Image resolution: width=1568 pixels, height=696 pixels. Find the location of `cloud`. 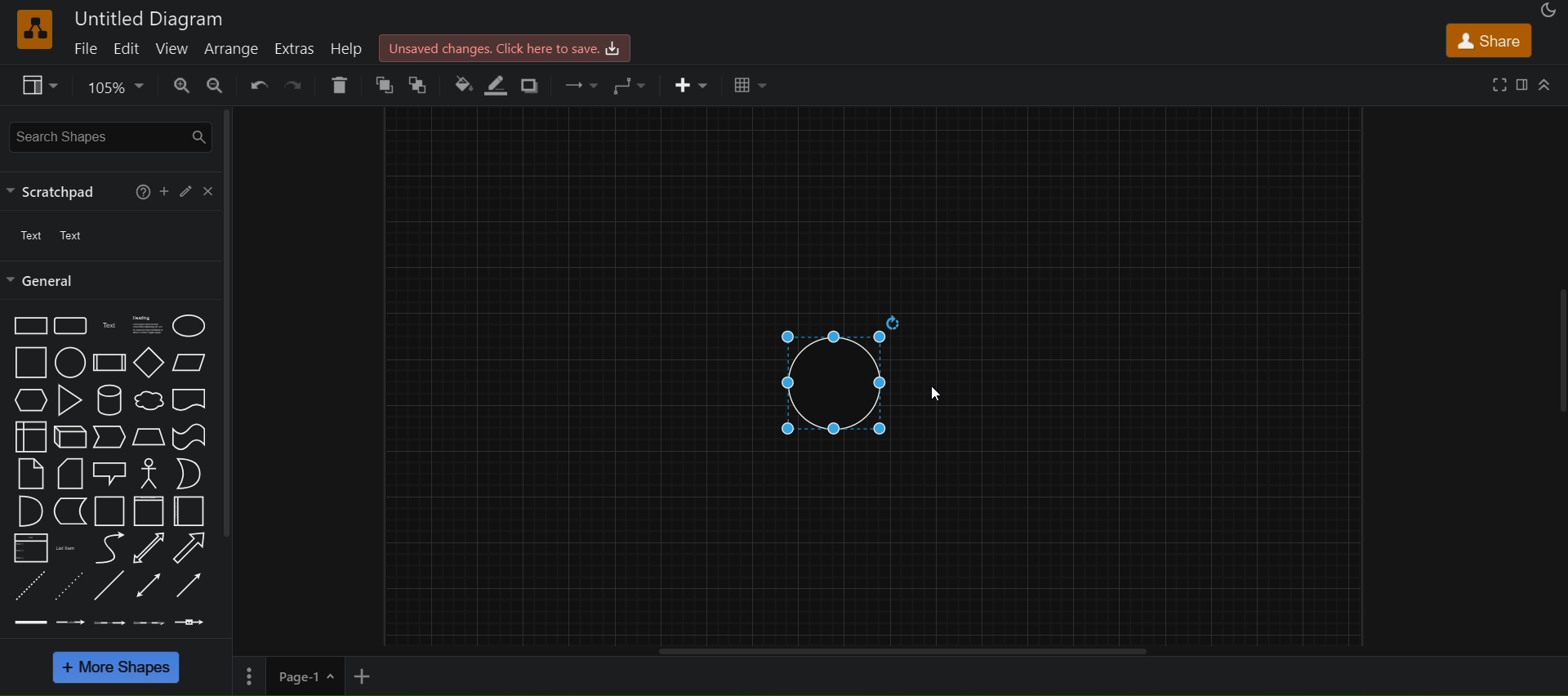

cloud is located at coordinates (148, 400).